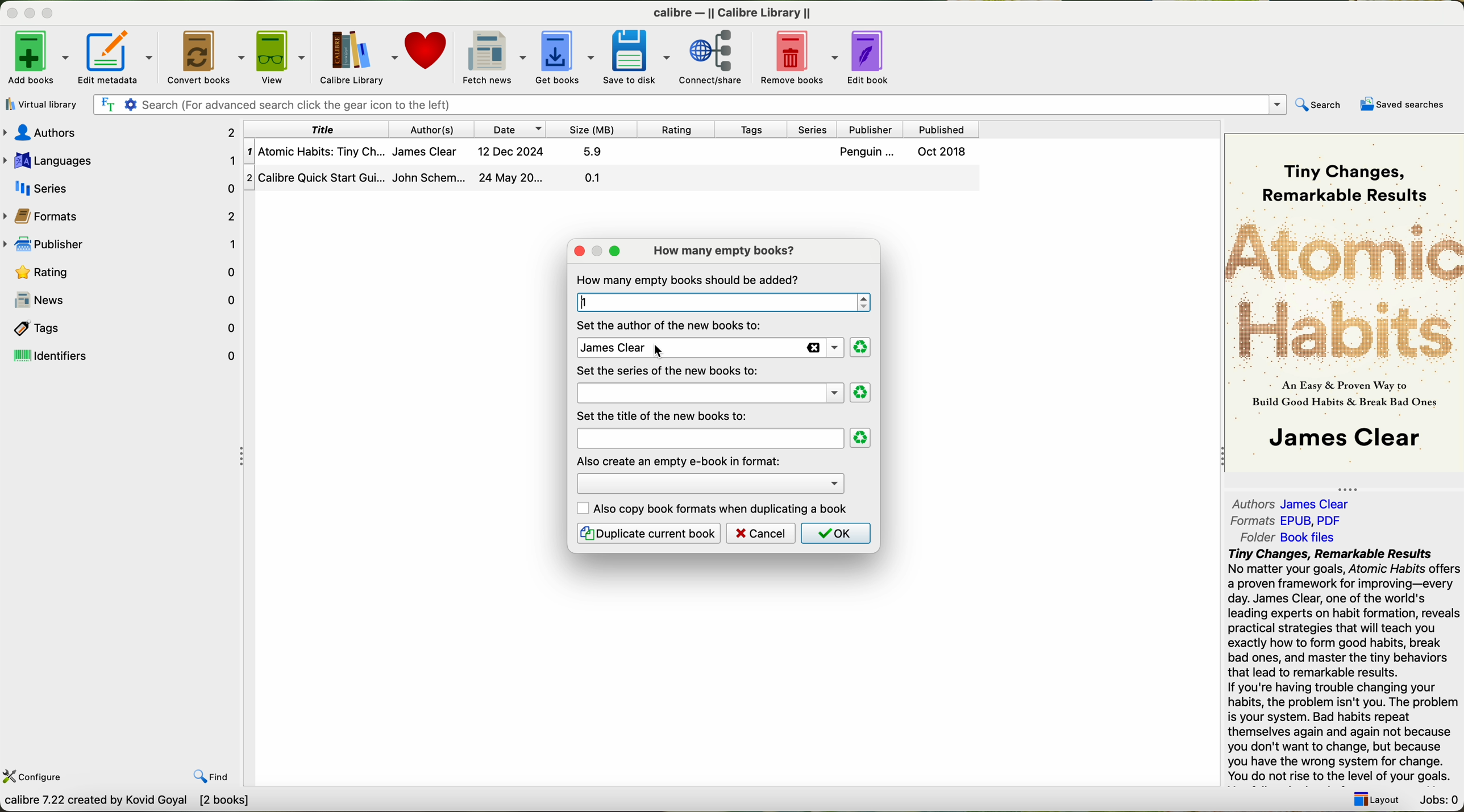 Image resolution: width=1464 pixels, height=812 pixels. Describe the element at coordinates (212, 778) in the screenshot. I see `find` at that location.